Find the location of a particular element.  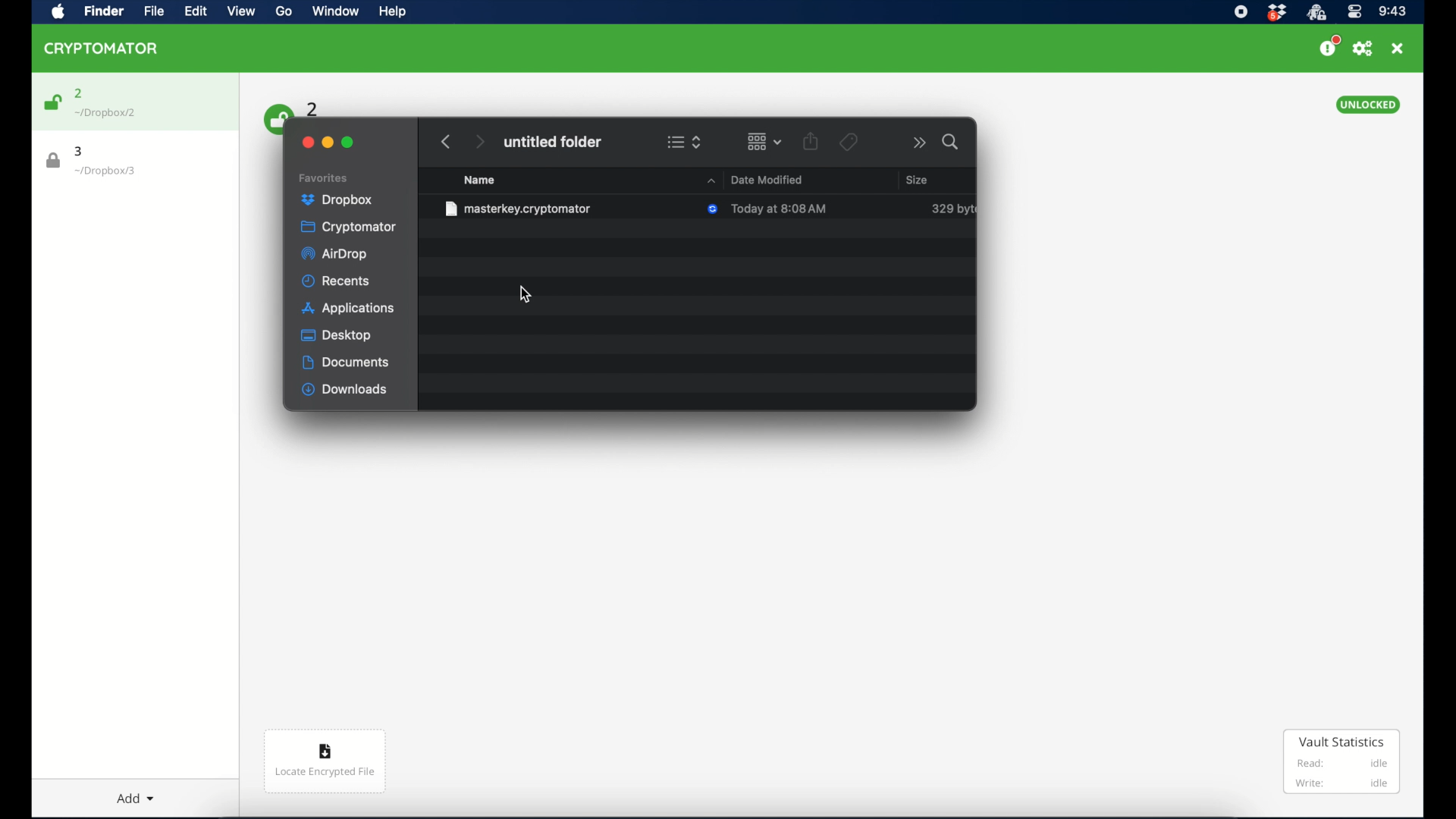

vault statistics is located at coordinates (1342, 763).